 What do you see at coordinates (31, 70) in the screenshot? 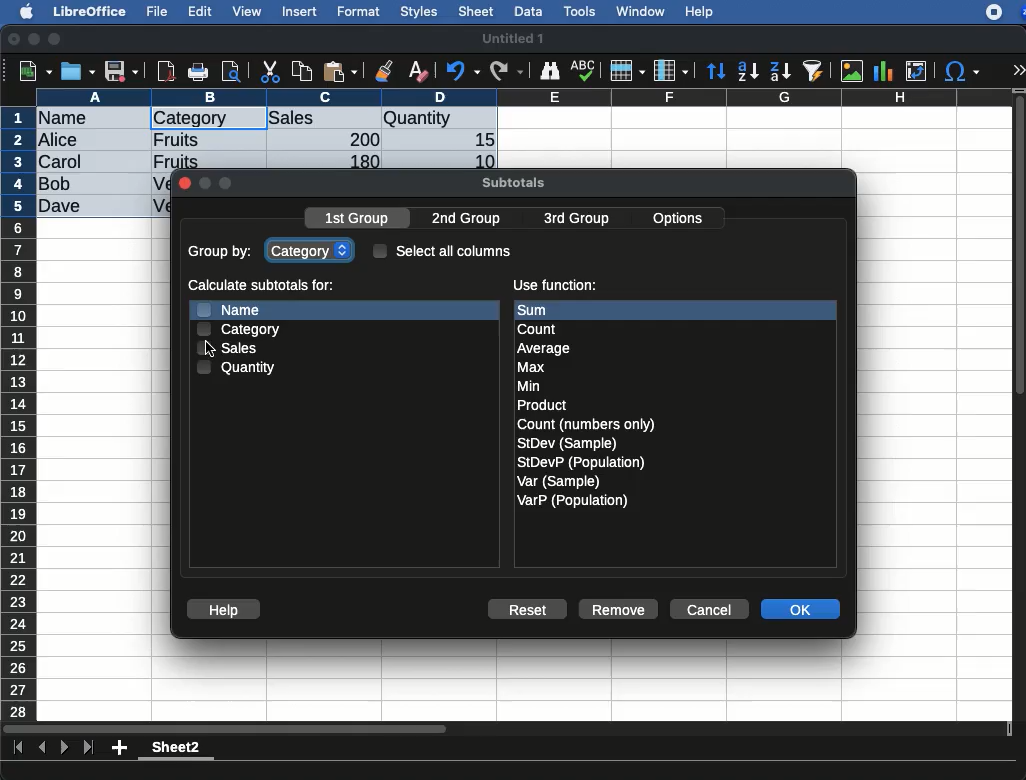
I see `new` at bounding box center [31, 70].